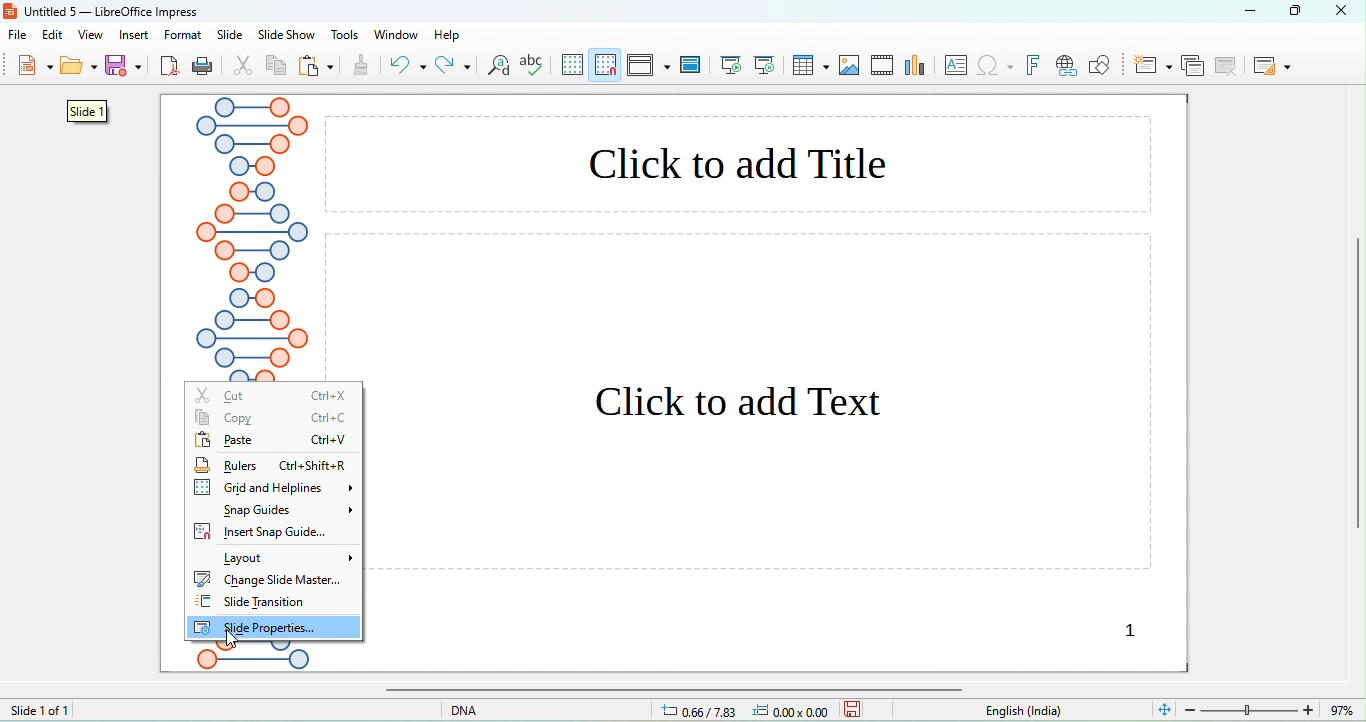 The width and height of the screenshot is (1366, 722). I want to click on snap to grid, so click(607, 64).